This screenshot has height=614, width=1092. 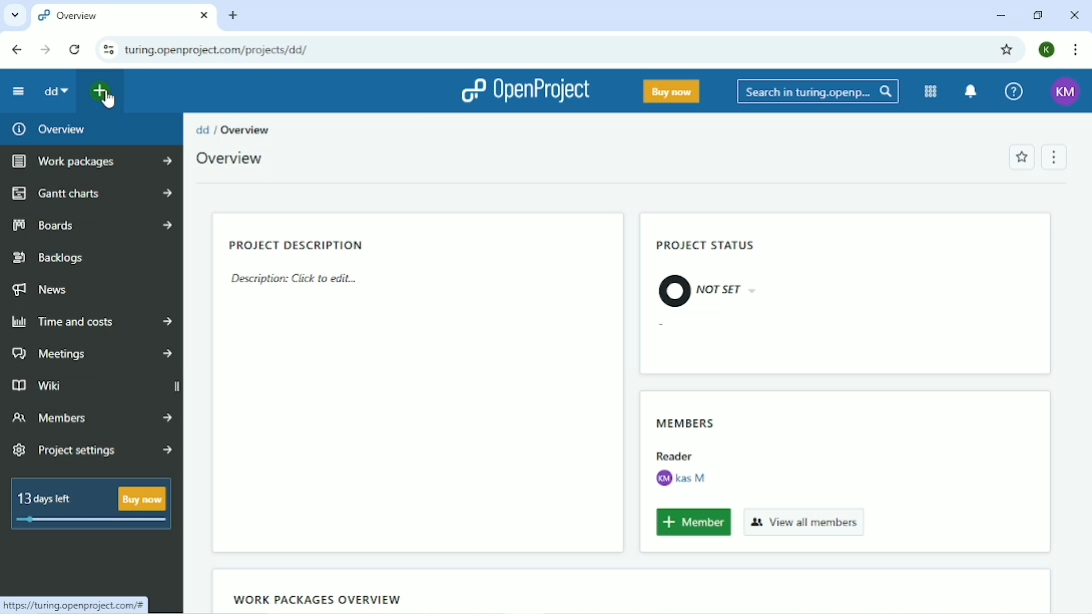 I want to click on Backlogs, so click(x=53, y=259).